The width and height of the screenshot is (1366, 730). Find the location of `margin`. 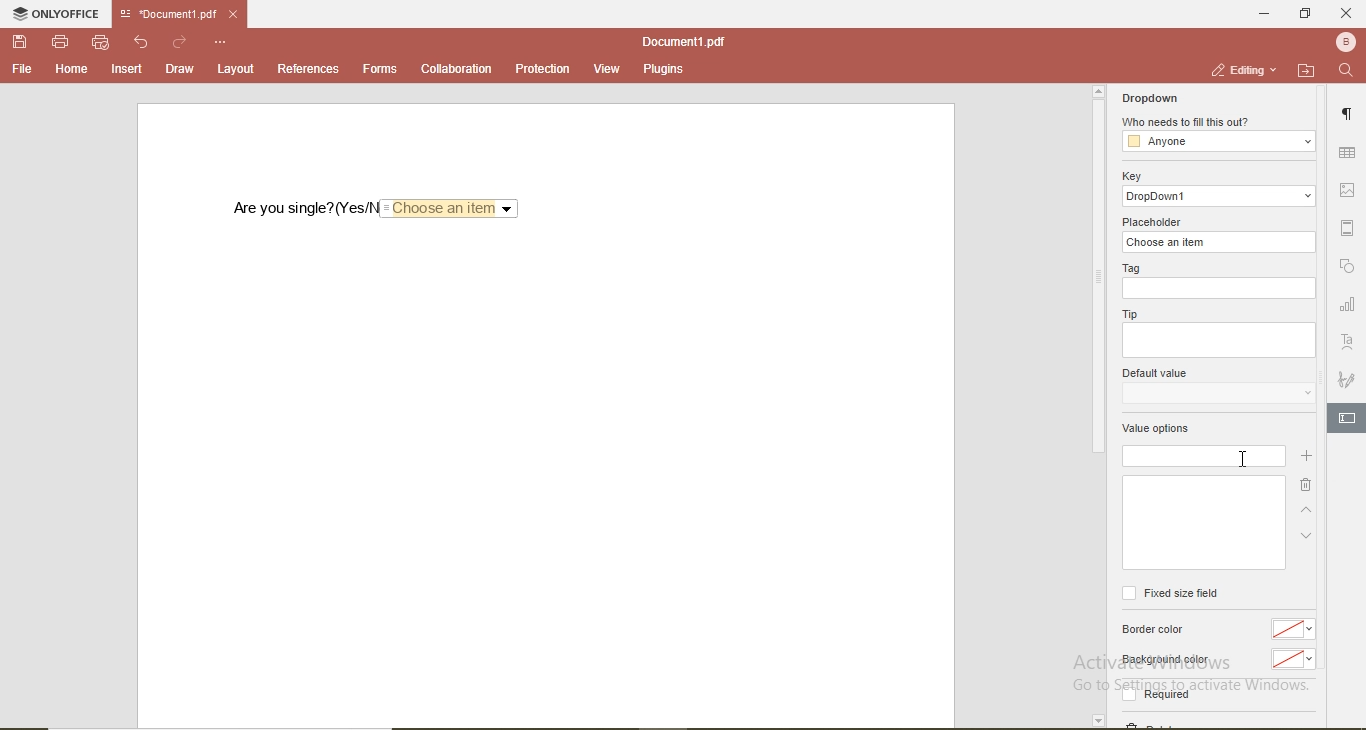

margin is located at coordinates (1348, 225).